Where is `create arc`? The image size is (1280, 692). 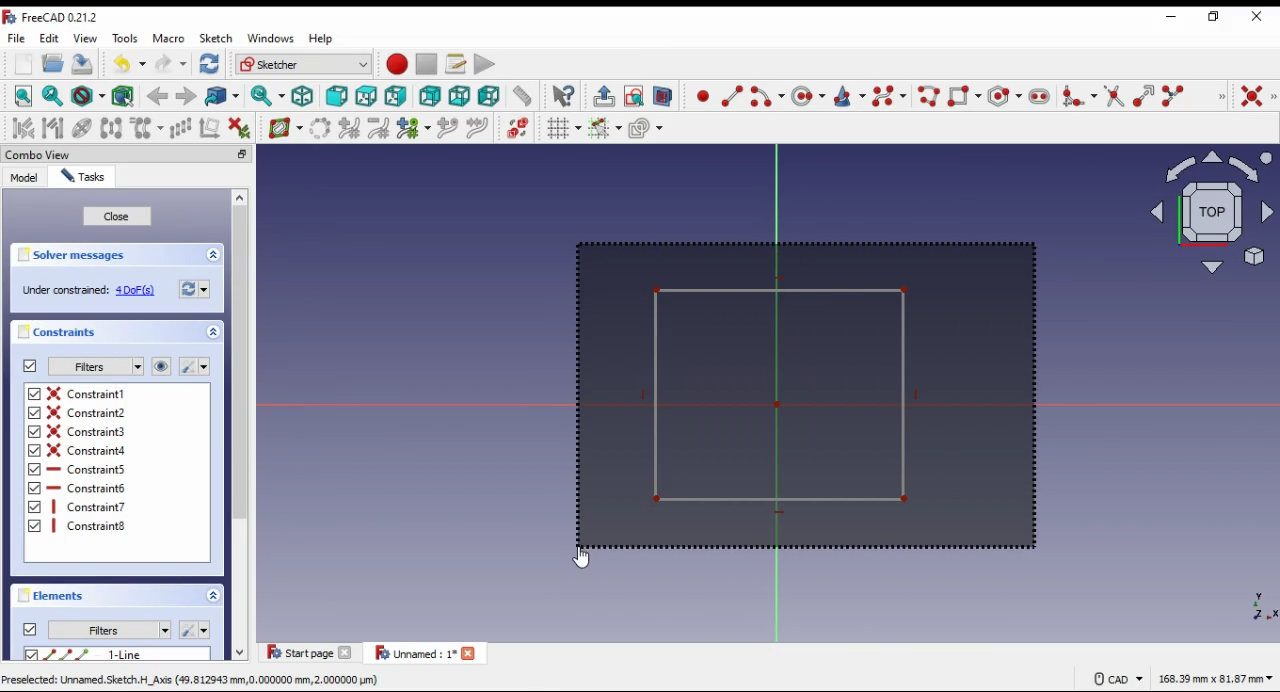
create arc is located at coordinates (767, 96).